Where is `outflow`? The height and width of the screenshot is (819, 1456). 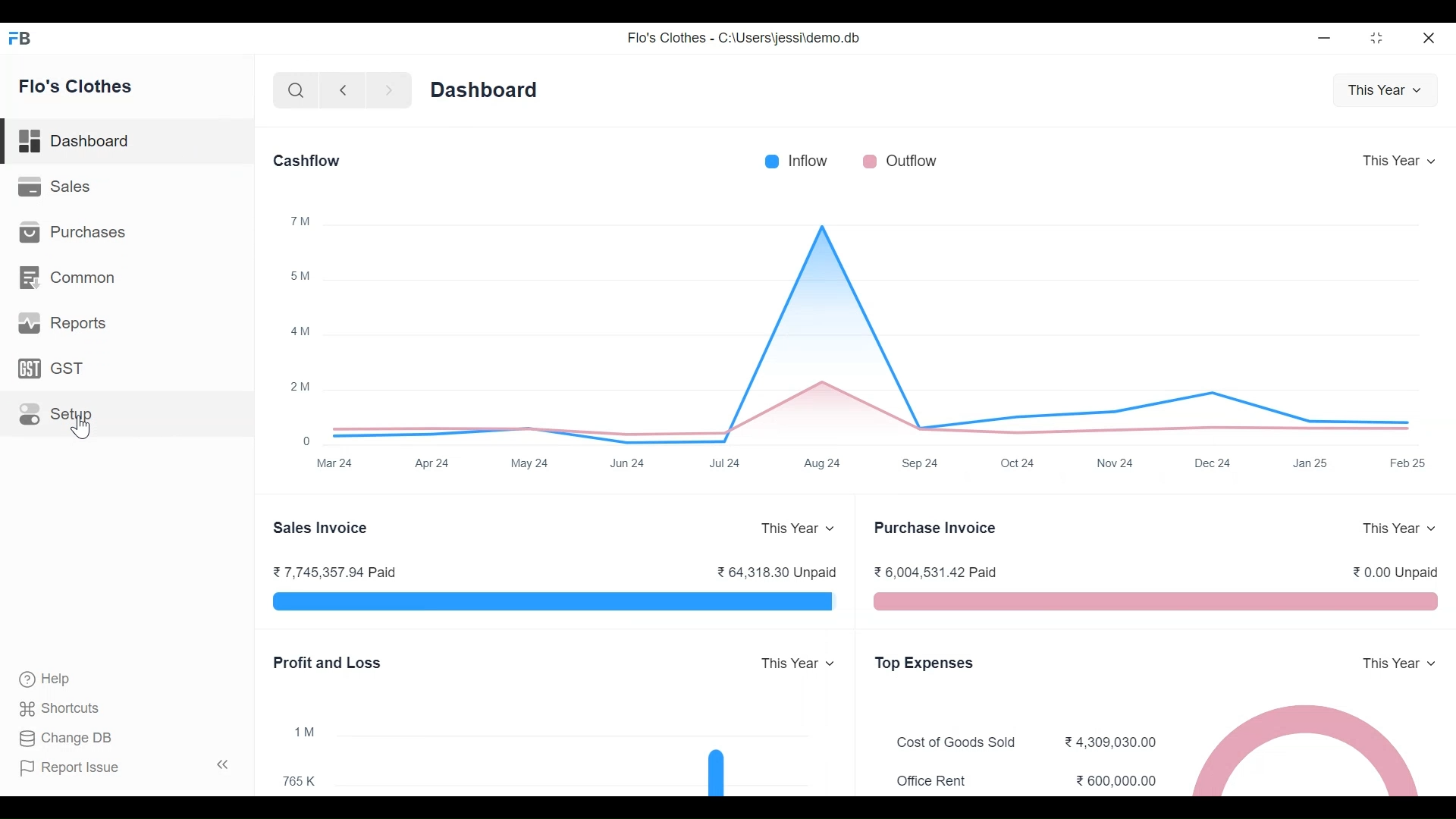 outflow is located at coordinates (900, 161).